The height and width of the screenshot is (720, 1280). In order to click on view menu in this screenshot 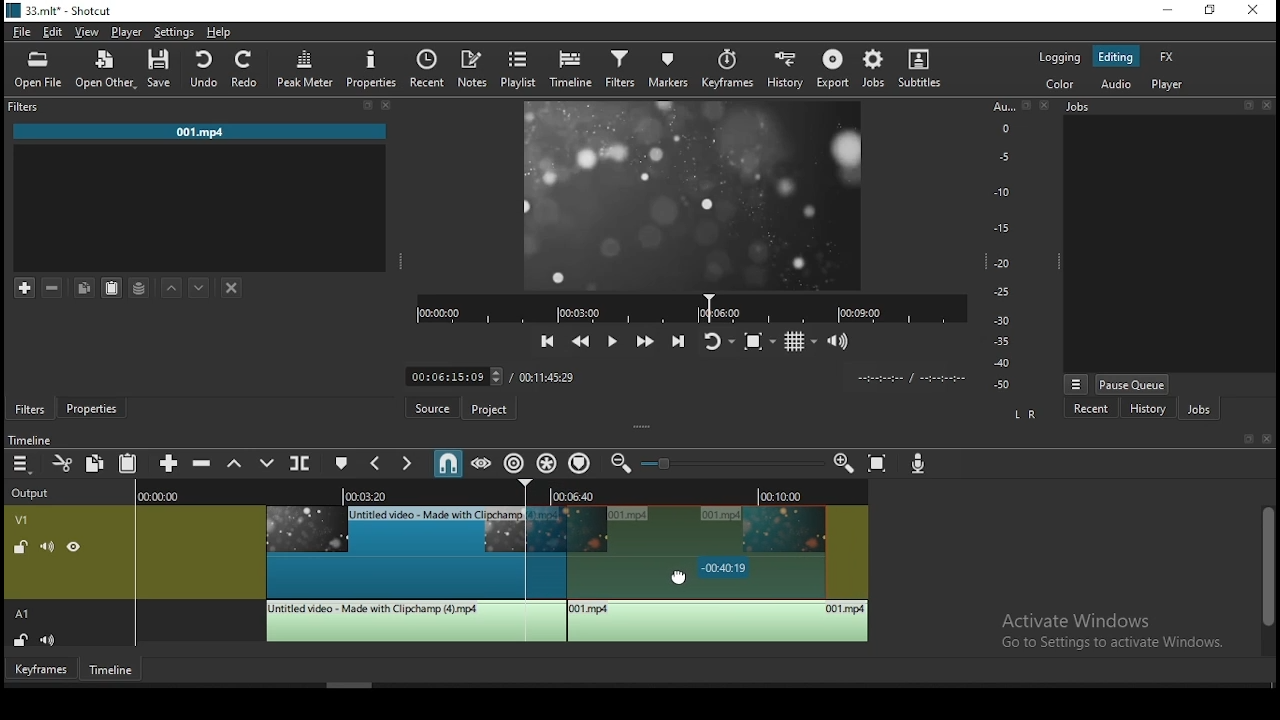, I will do `click(1076, 381)`.